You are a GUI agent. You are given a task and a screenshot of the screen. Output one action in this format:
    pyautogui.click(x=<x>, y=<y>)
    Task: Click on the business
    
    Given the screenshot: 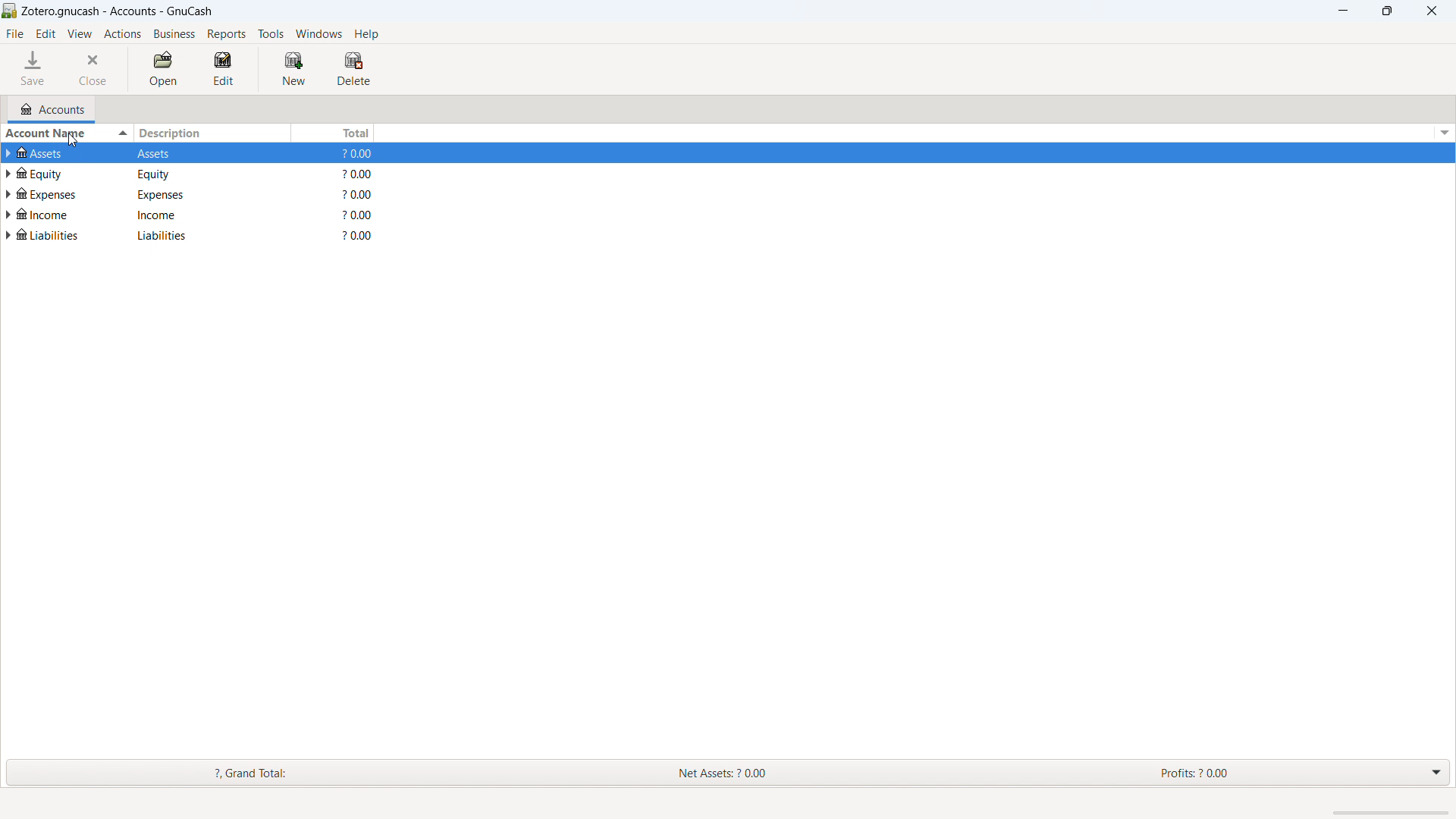 What is the action you would take?
    pyautogui.click(x=174, y=33)
    